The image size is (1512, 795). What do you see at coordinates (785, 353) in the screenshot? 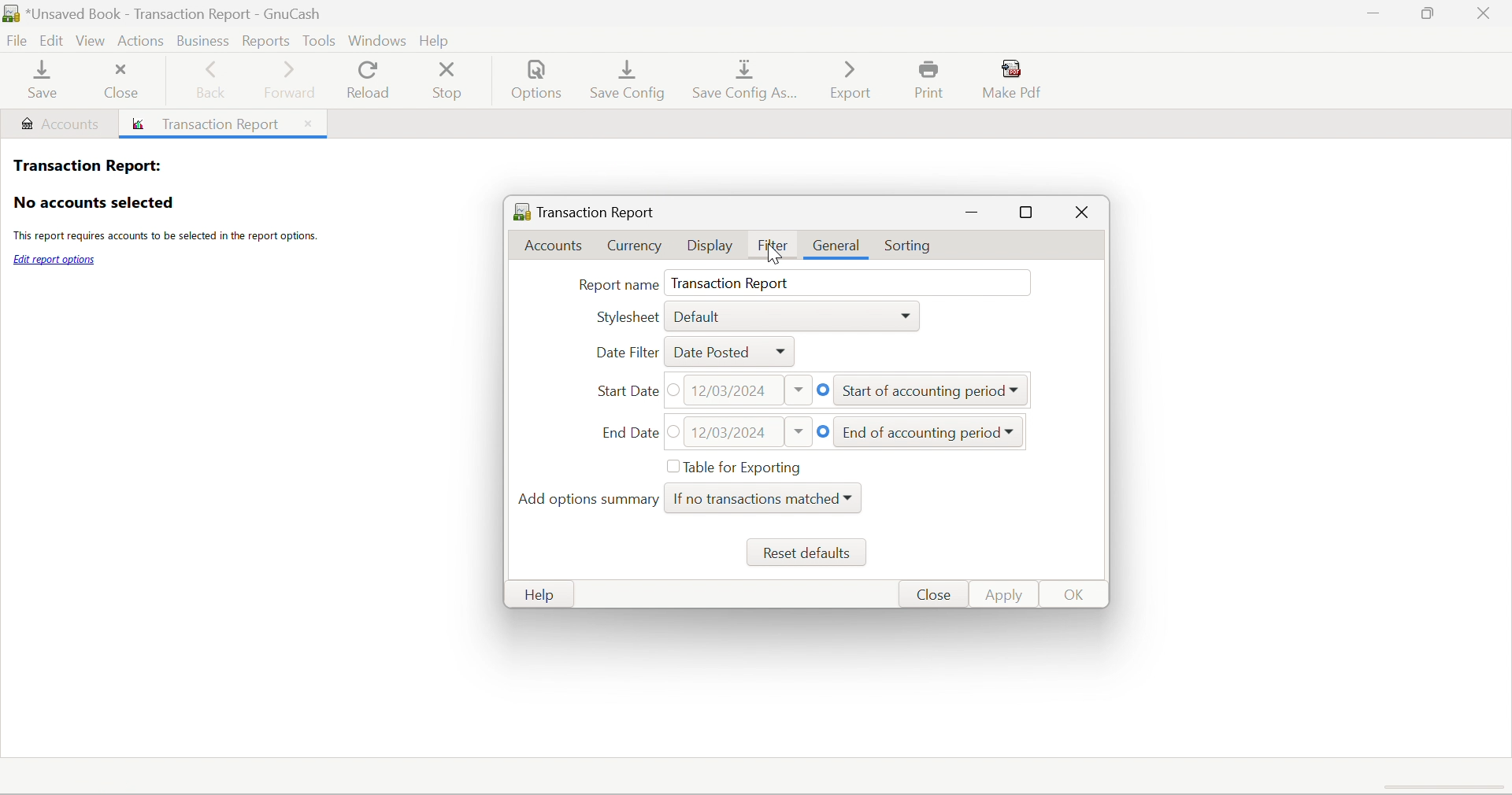
I see `Drop Down` at bounding box center [785, 353].